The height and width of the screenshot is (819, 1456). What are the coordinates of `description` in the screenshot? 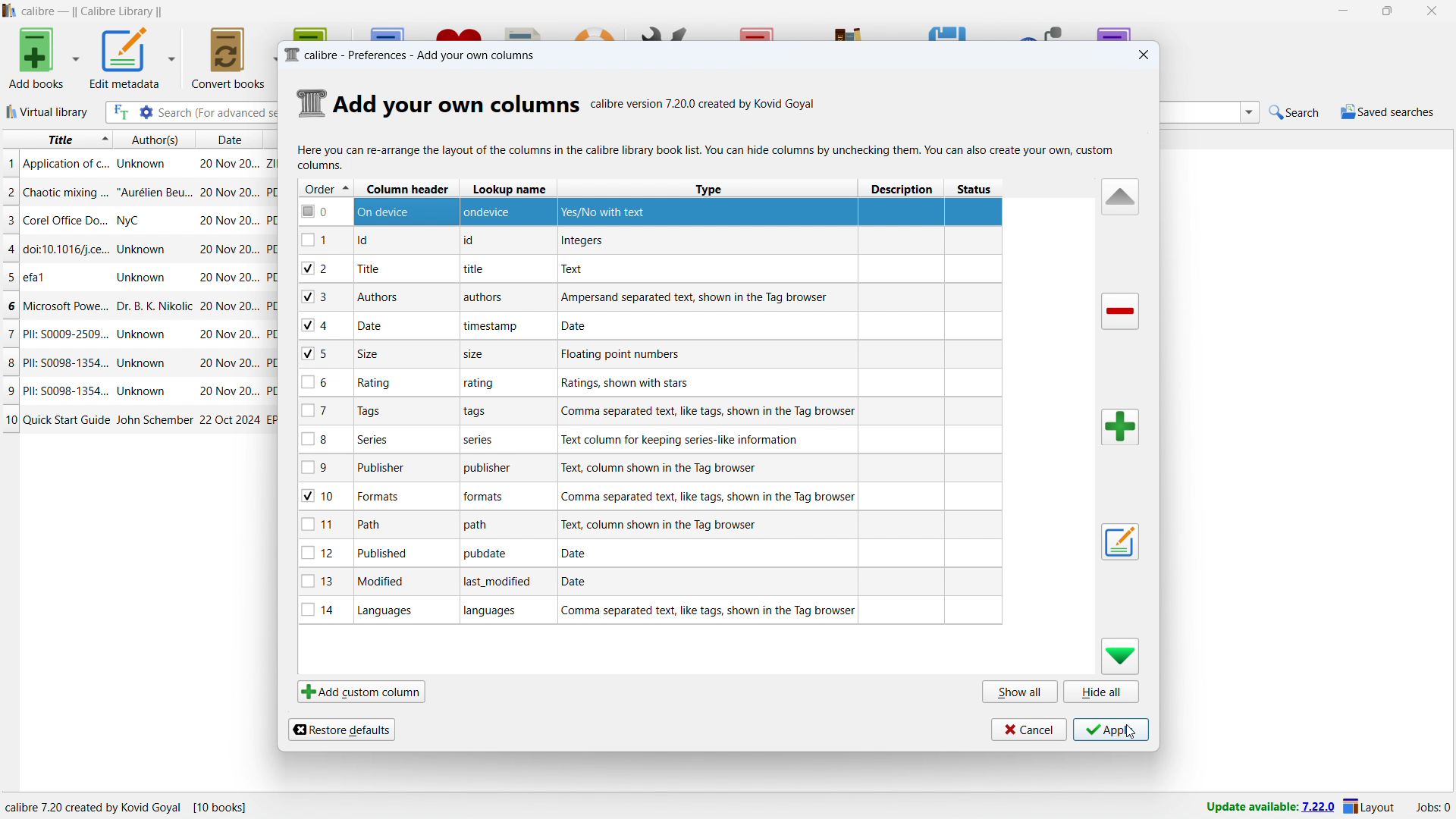 It's located at (904, 189).